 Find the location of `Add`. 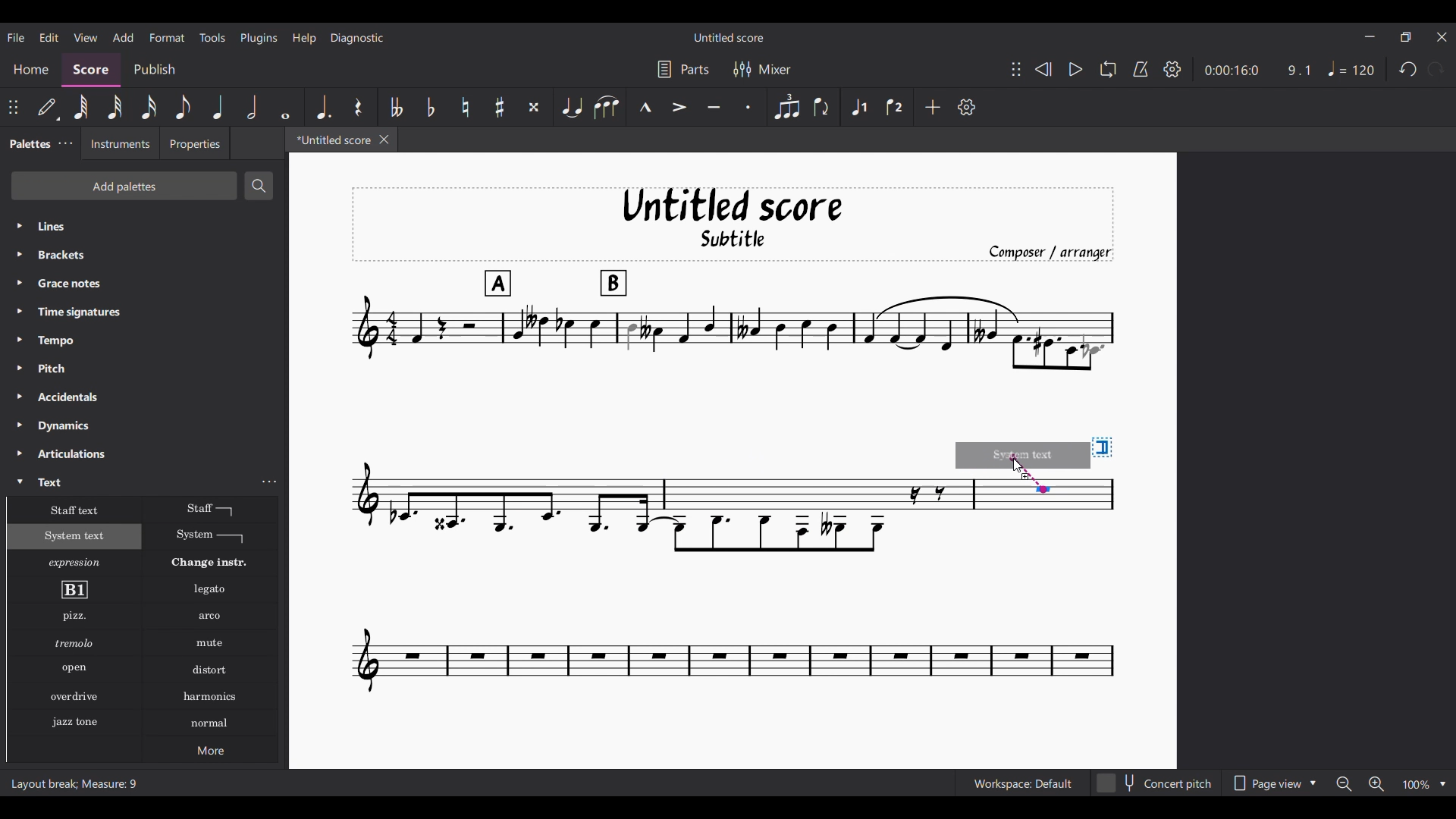

Add is located at coordinates (932, 107).